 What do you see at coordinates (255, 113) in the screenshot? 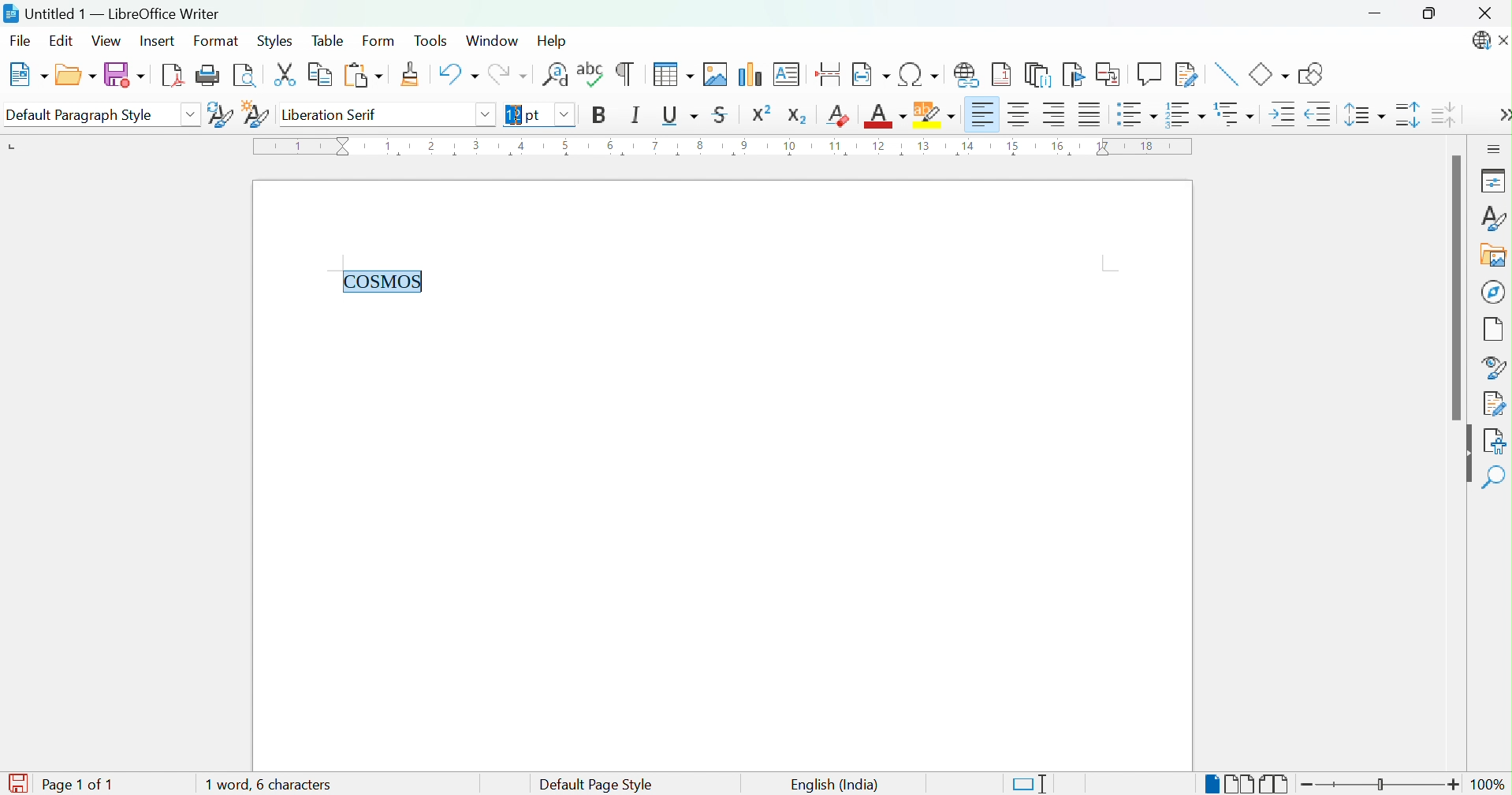
I see `New Style from Selection` at bounding box center [255, 113].